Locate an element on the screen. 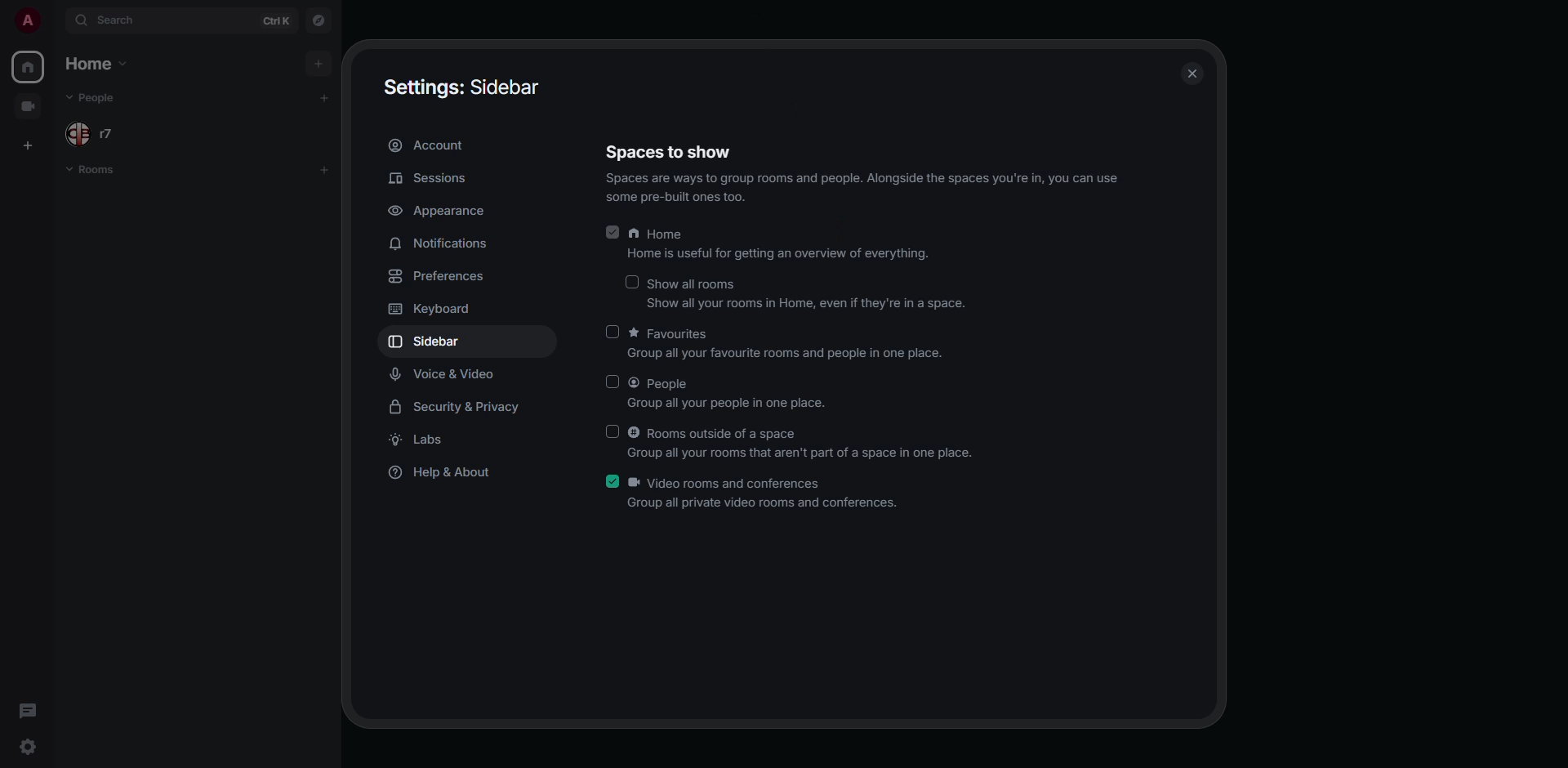 This screenshot has height=768, width=1568. add is located at coordinates (318, 64).